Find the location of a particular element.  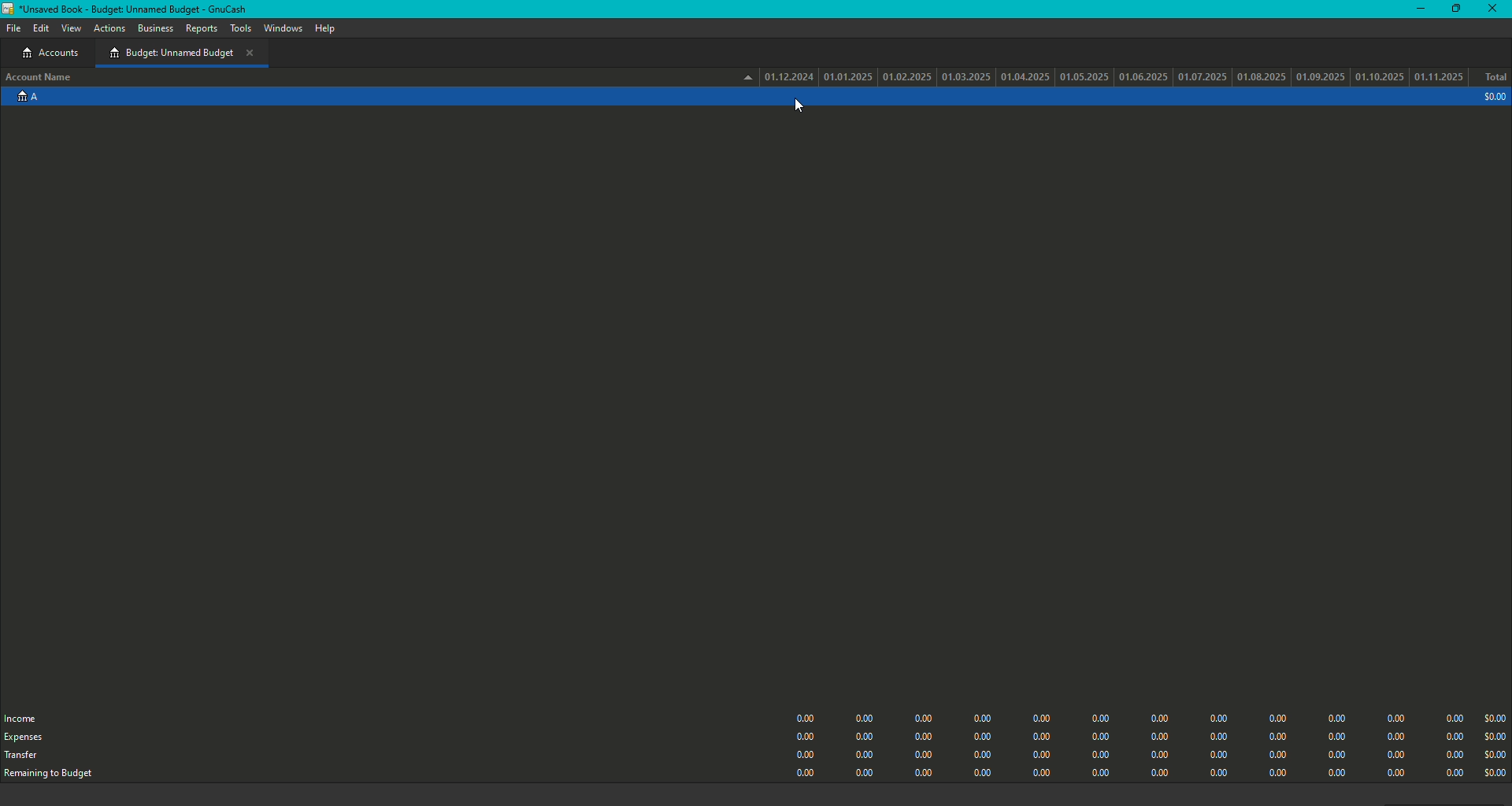

Cursor is located at coordinates (797, 106).